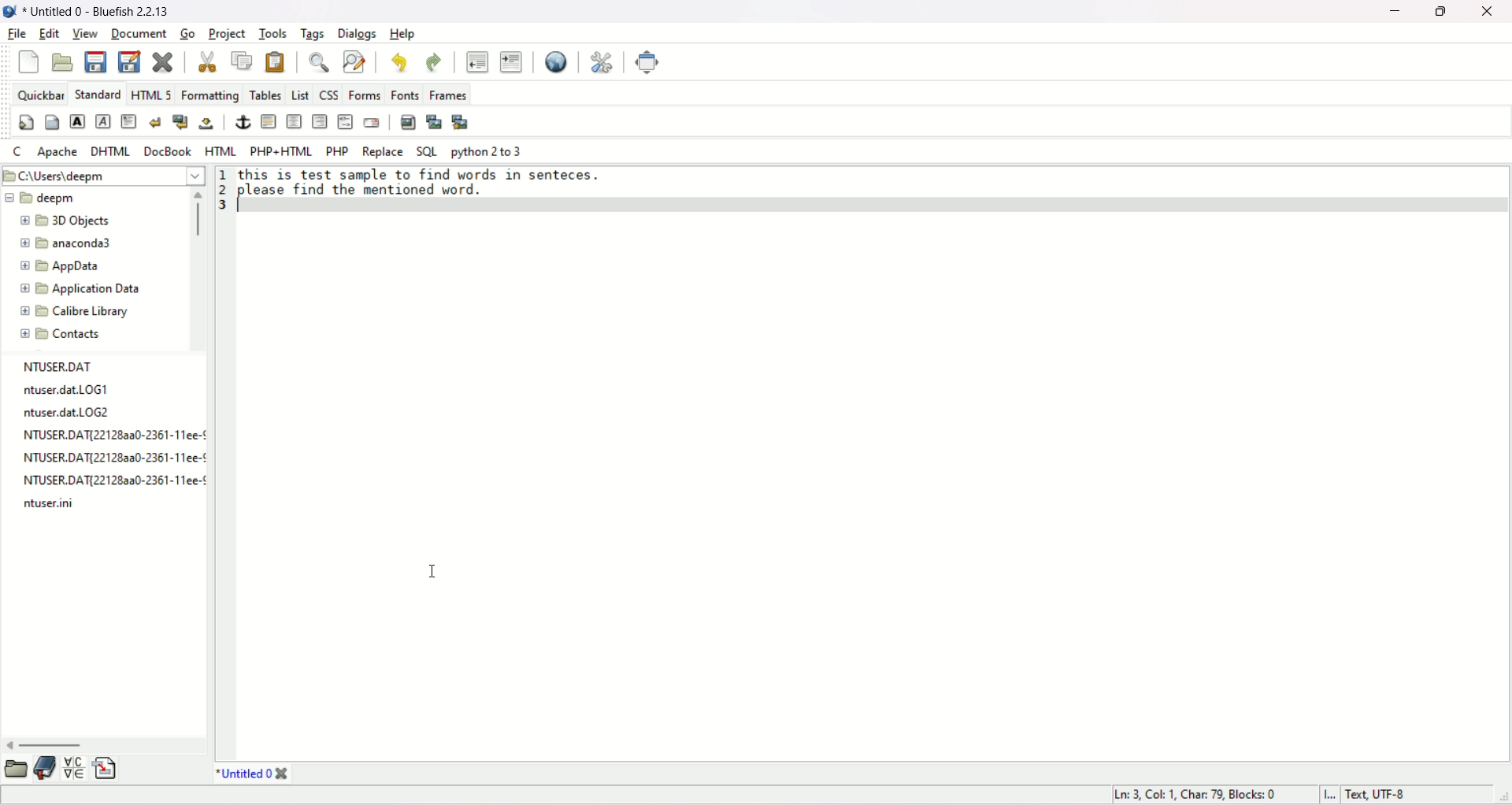 The height and width of the screenshot is (805, 1512). I want to click on forms, so click(365, 91).